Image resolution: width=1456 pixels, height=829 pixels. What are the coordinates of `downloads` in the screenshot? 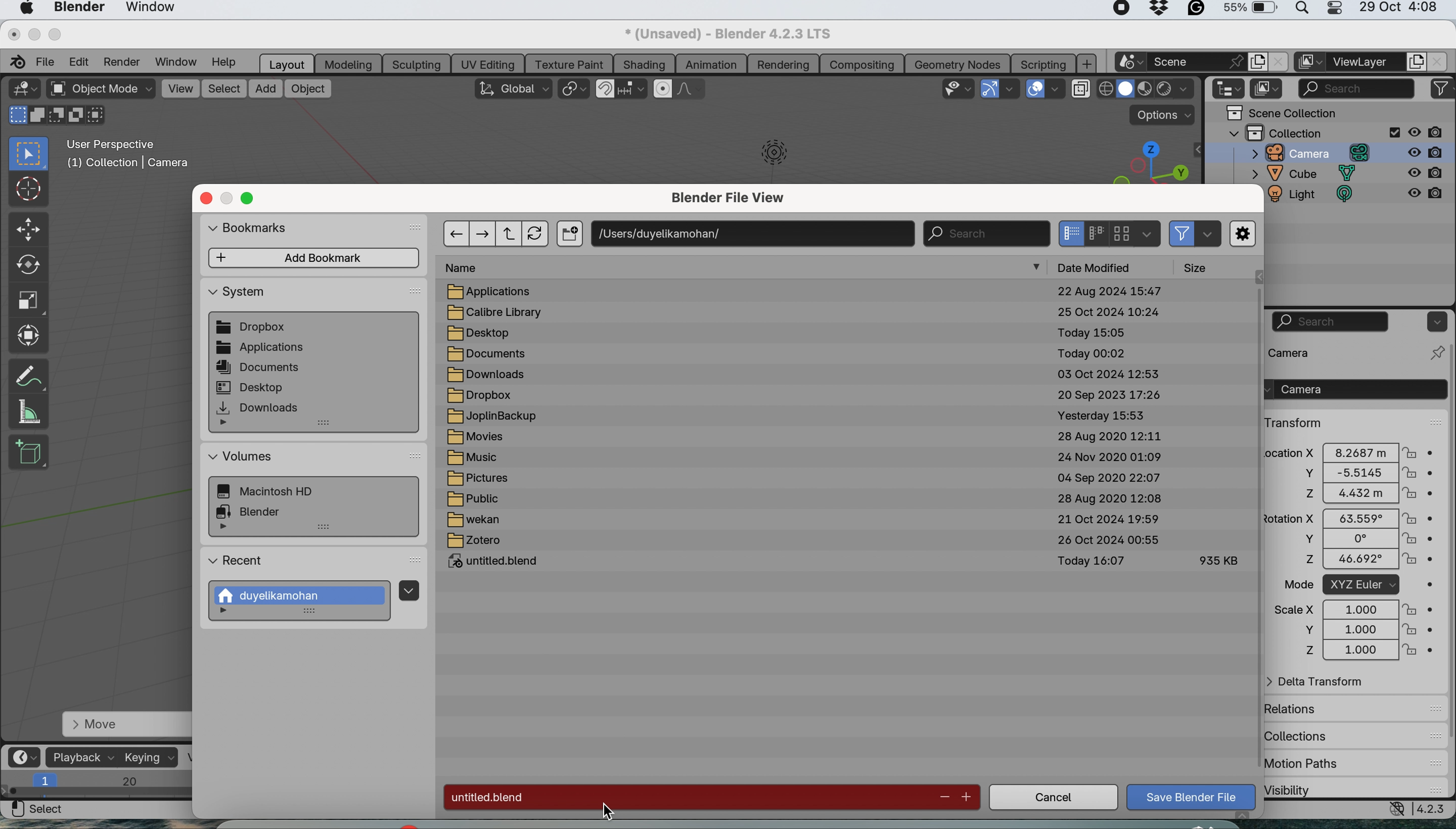 It's located at (259, 408).